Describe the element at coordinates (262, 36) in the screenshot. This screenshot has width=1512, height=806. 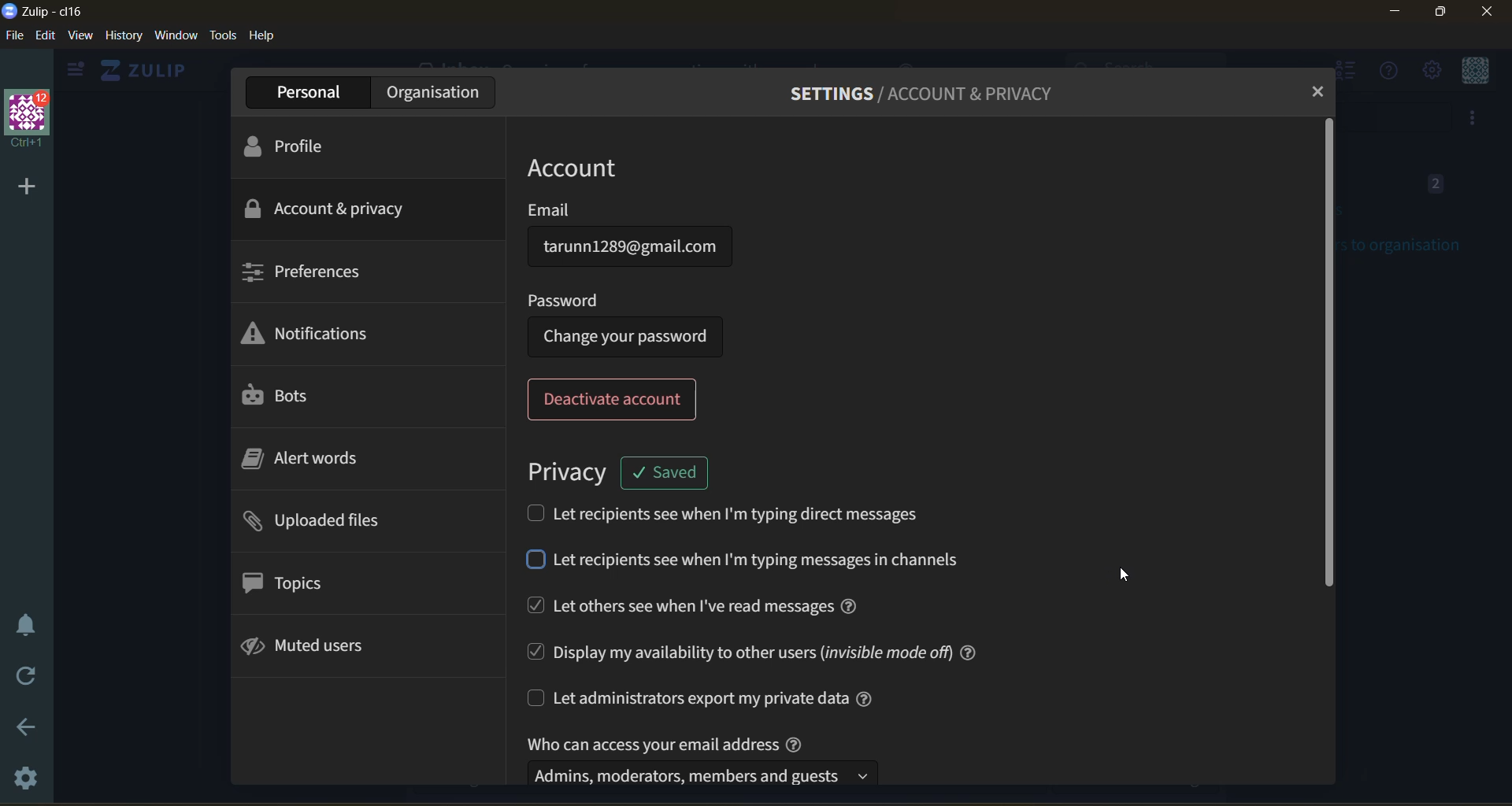
I see `help` at that location.